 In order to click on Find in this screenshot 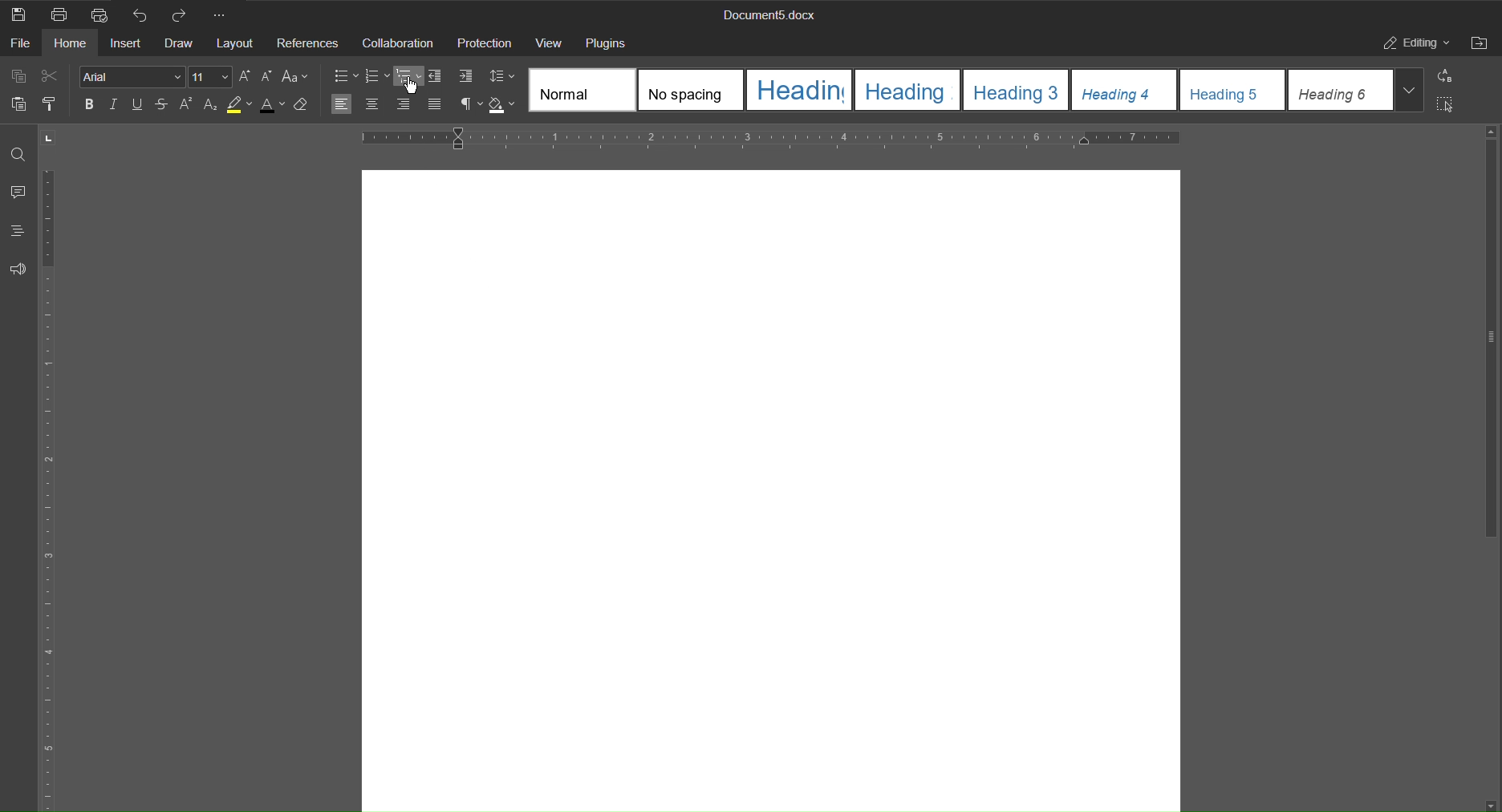, I will do `click(18, 156)`.